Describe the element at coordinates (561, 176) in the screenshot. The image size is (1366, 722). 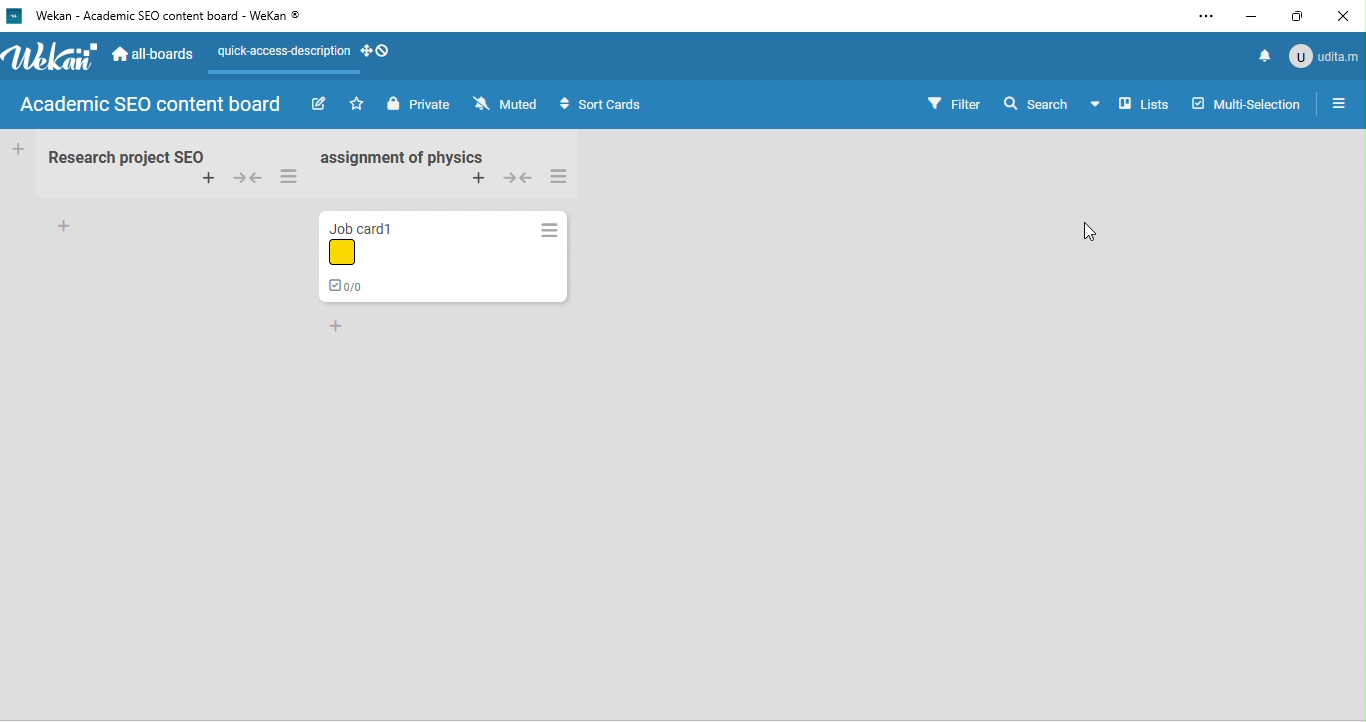
I see `list action` at that location.